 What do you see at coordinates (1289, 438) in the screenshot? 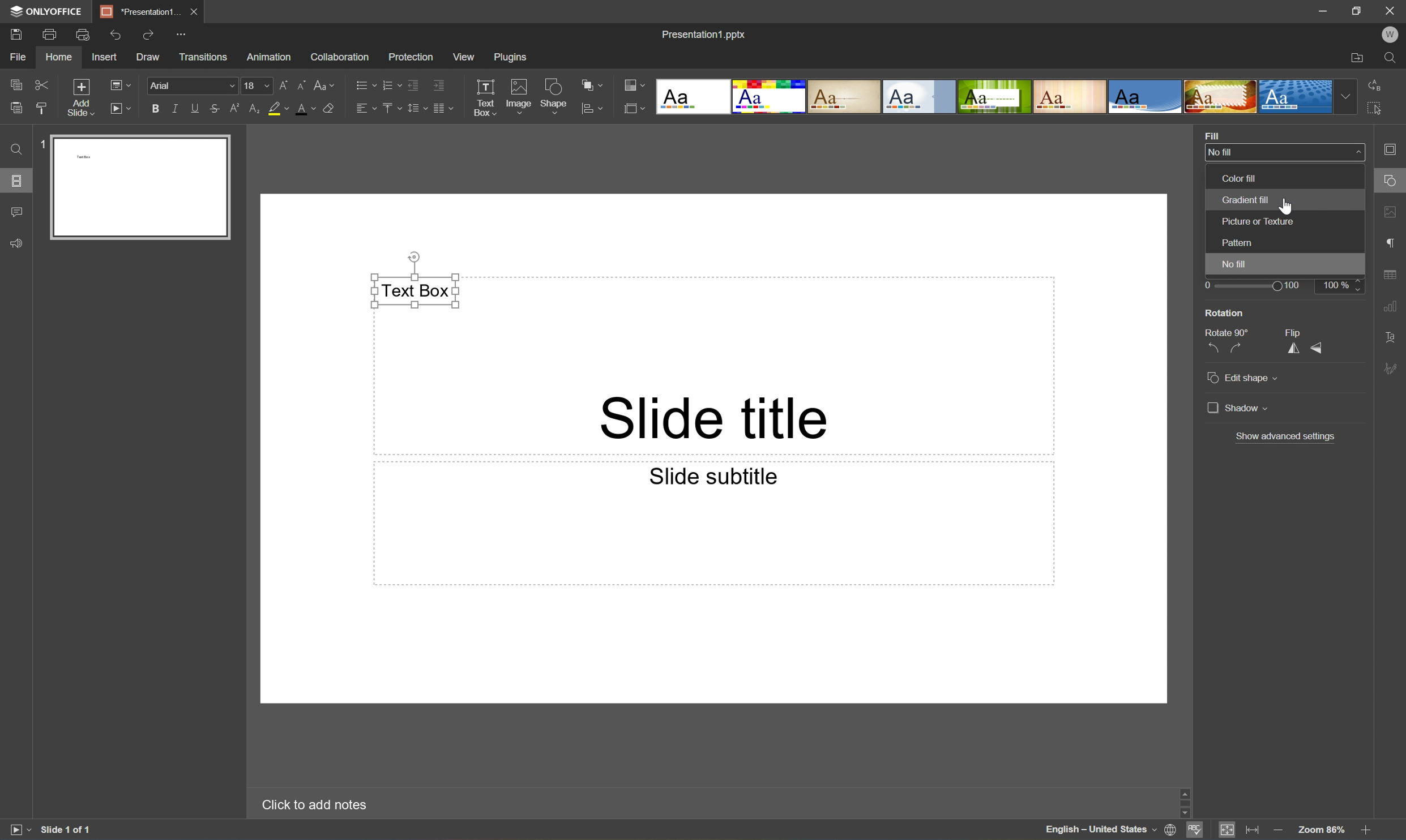
I see `Show advanced settings` at bounding box center [1289, 438].